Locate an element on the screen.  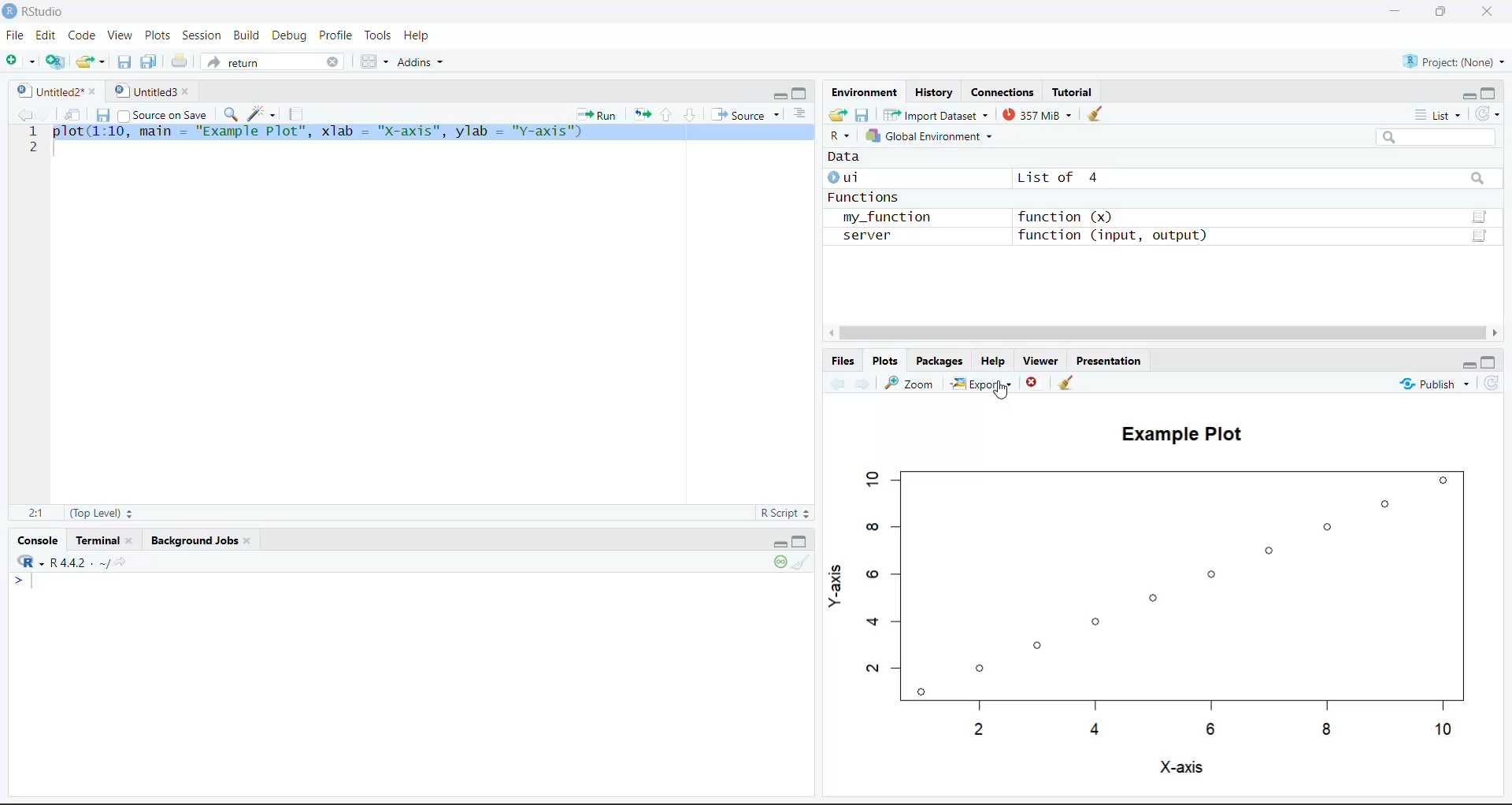
Maximize/Restore is located at coordinates (1489, 92).